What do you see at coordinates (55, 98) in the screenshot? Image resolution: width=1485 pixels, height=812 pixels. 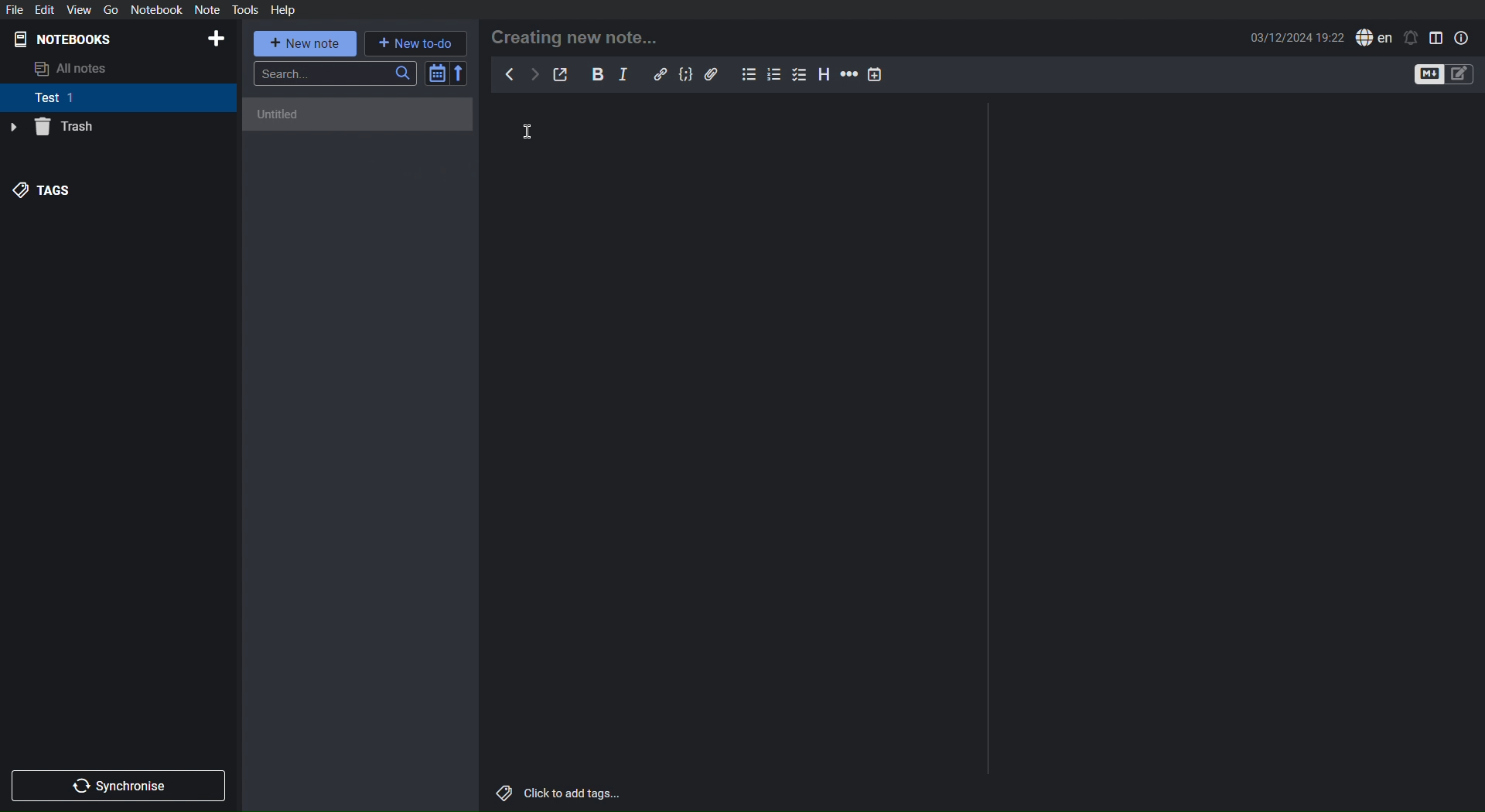 I see `Test 1` at bounding box center [55, 98].